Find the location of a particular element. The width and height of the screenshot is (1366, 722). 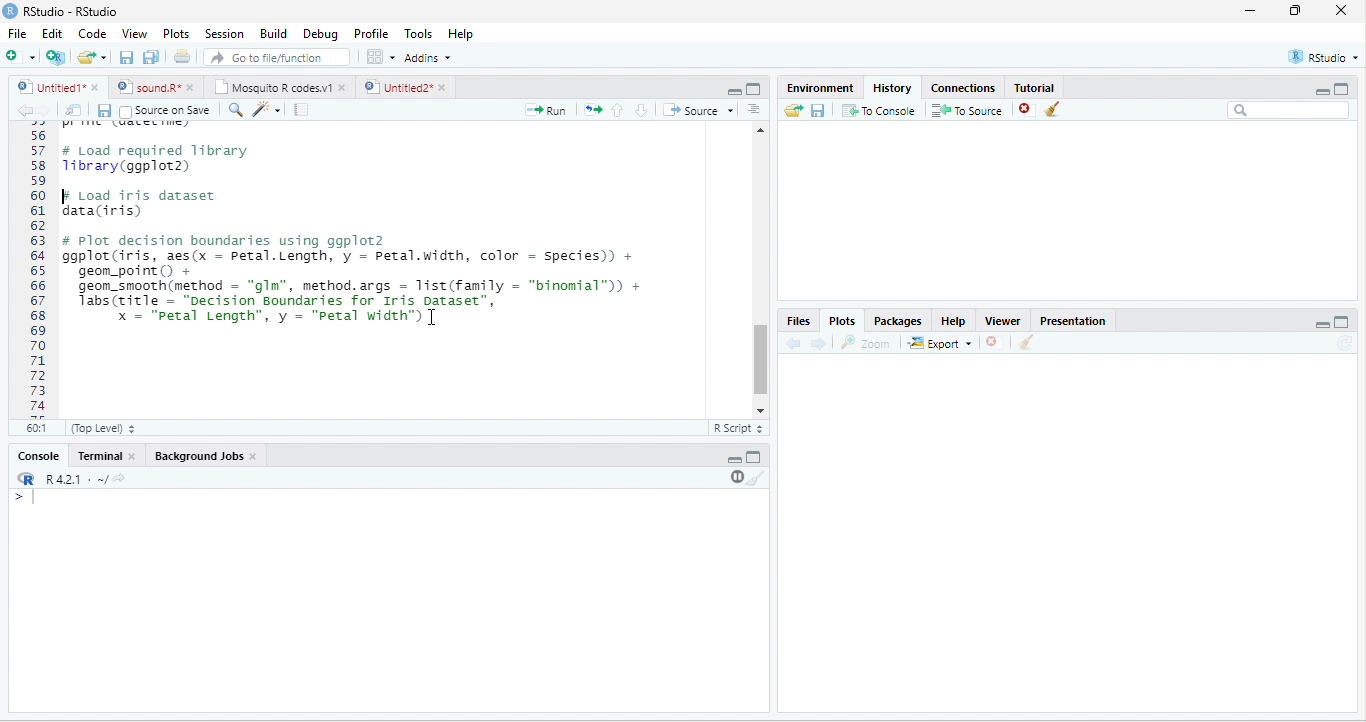

maximize is located at coordinates (1342, 88).